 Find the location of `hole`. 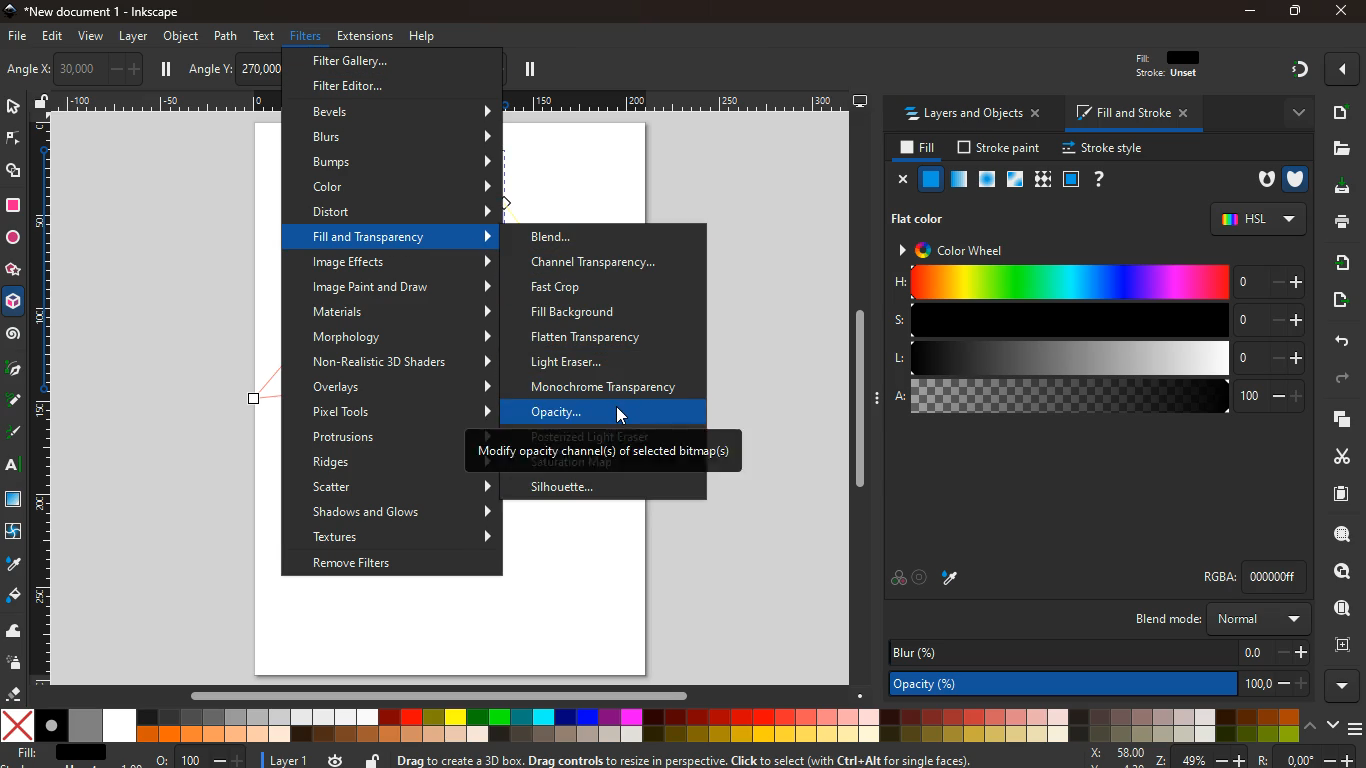

hole is located at coordinates (1259, 180).